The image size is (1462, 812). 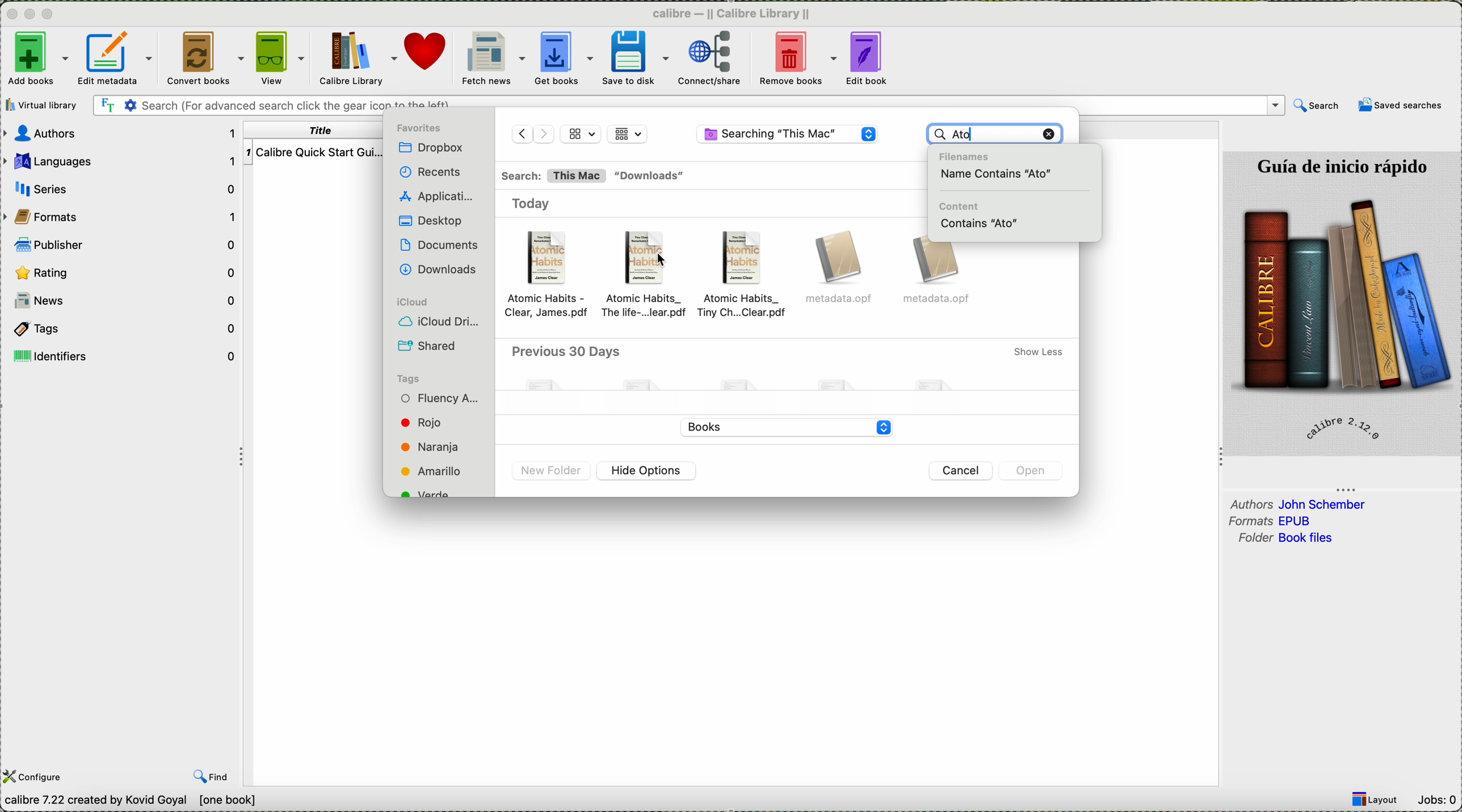 I want to click on save to disk, so click(x=633, y=58).